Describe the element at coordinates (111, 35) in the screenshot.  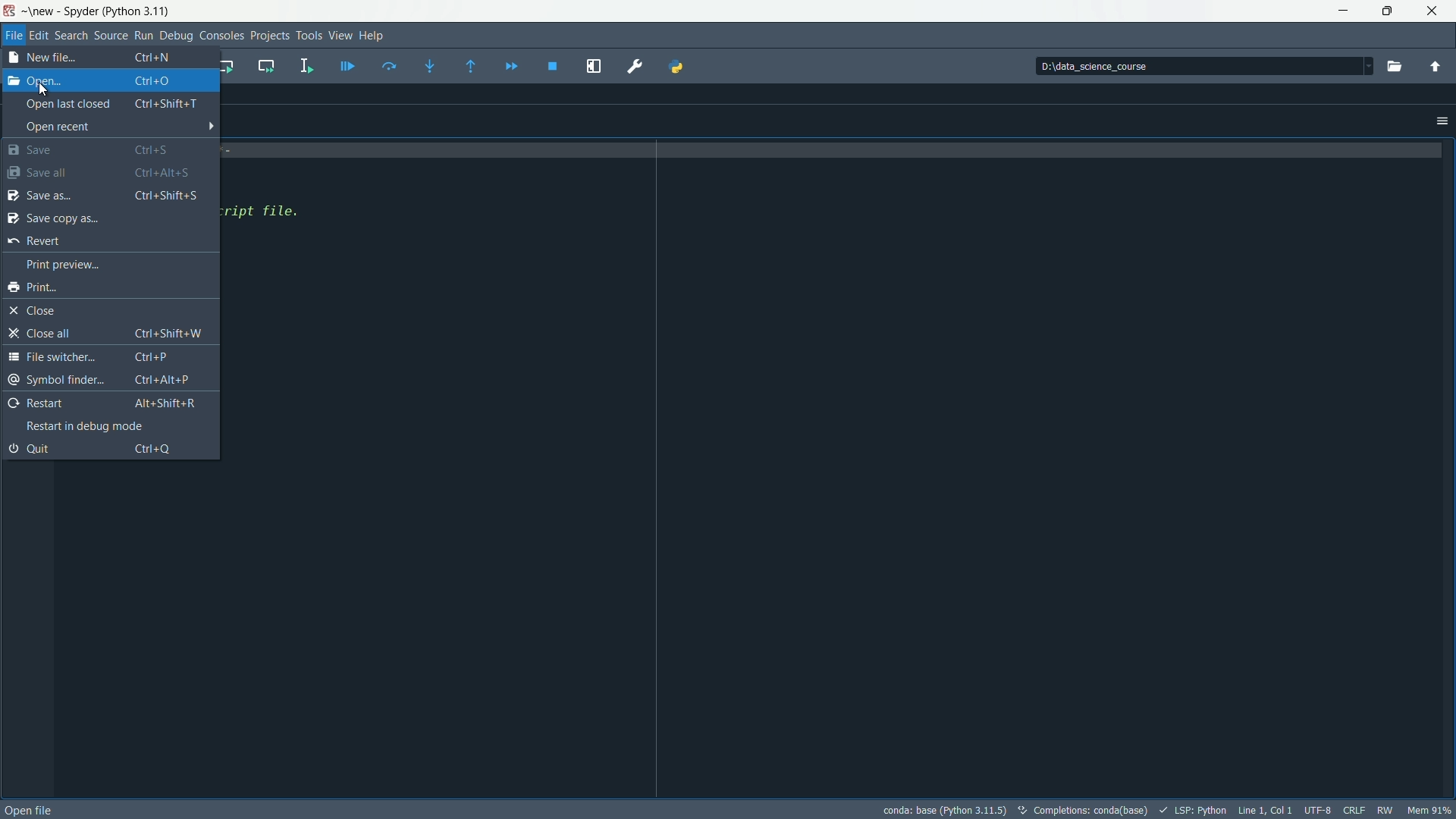
I see `source menu` at that location.